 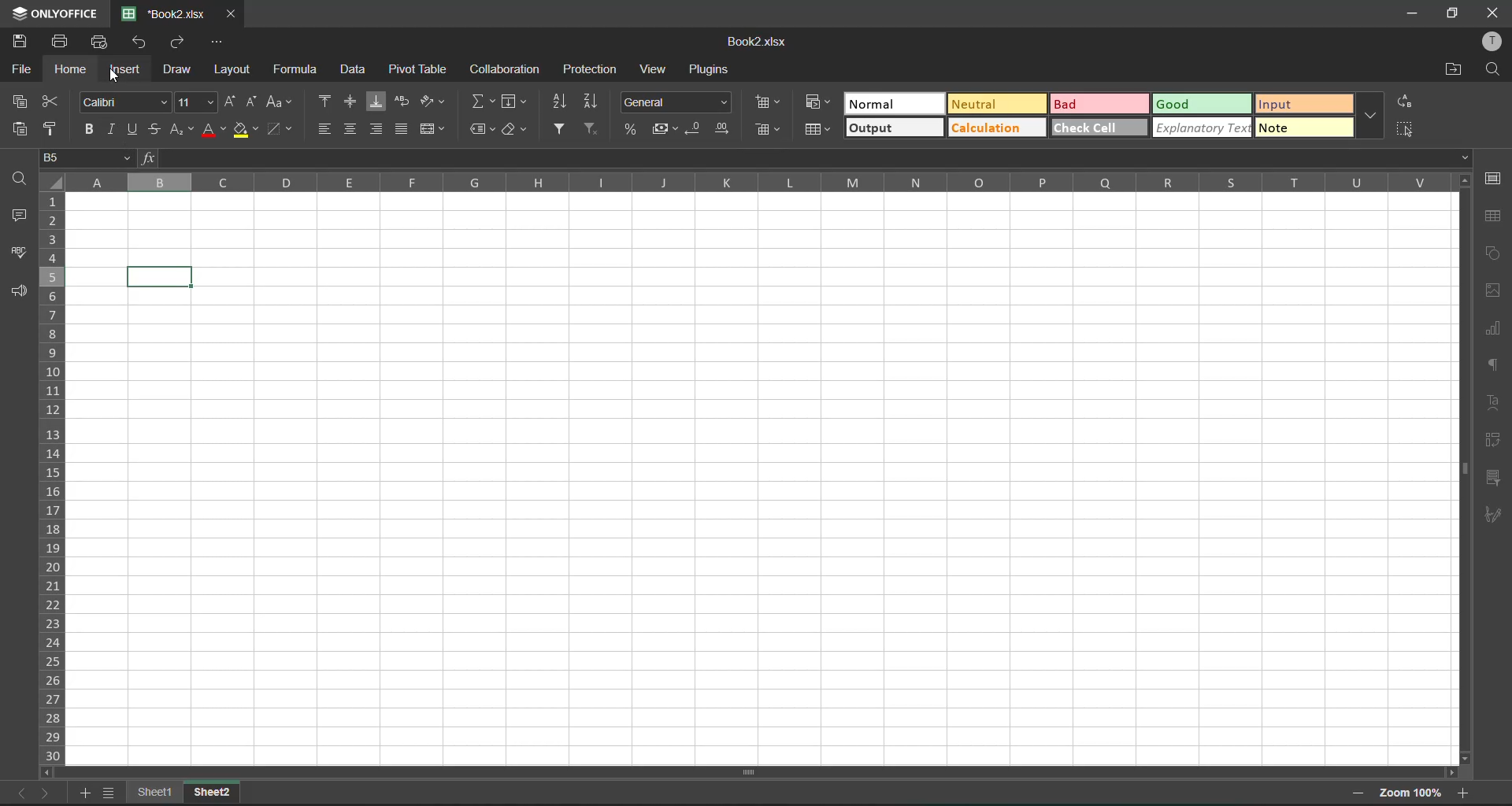 I want to click on charts, so click(x=1494, y=331).